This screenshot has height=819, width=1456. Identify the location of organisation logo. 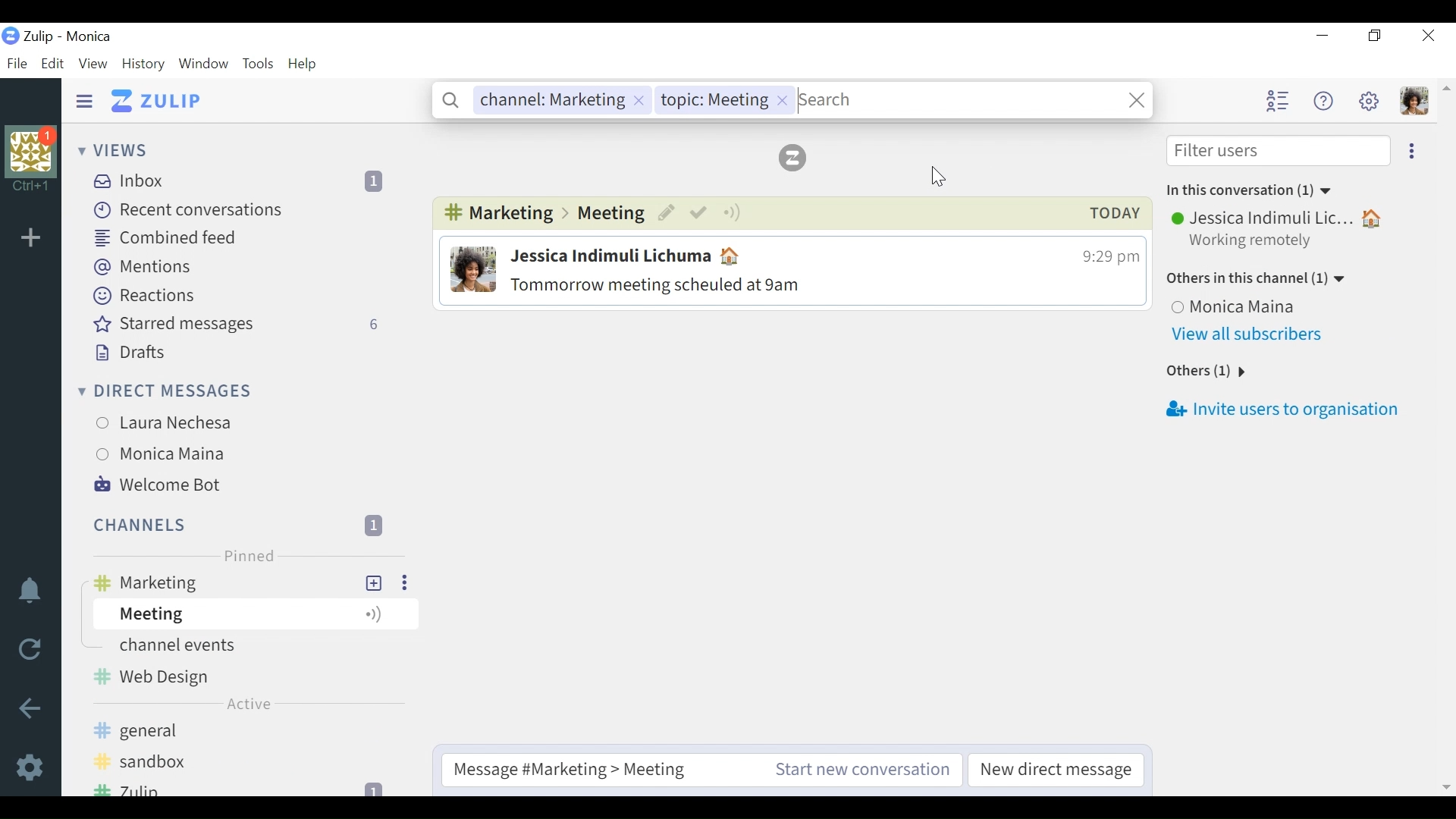
(11, 36).